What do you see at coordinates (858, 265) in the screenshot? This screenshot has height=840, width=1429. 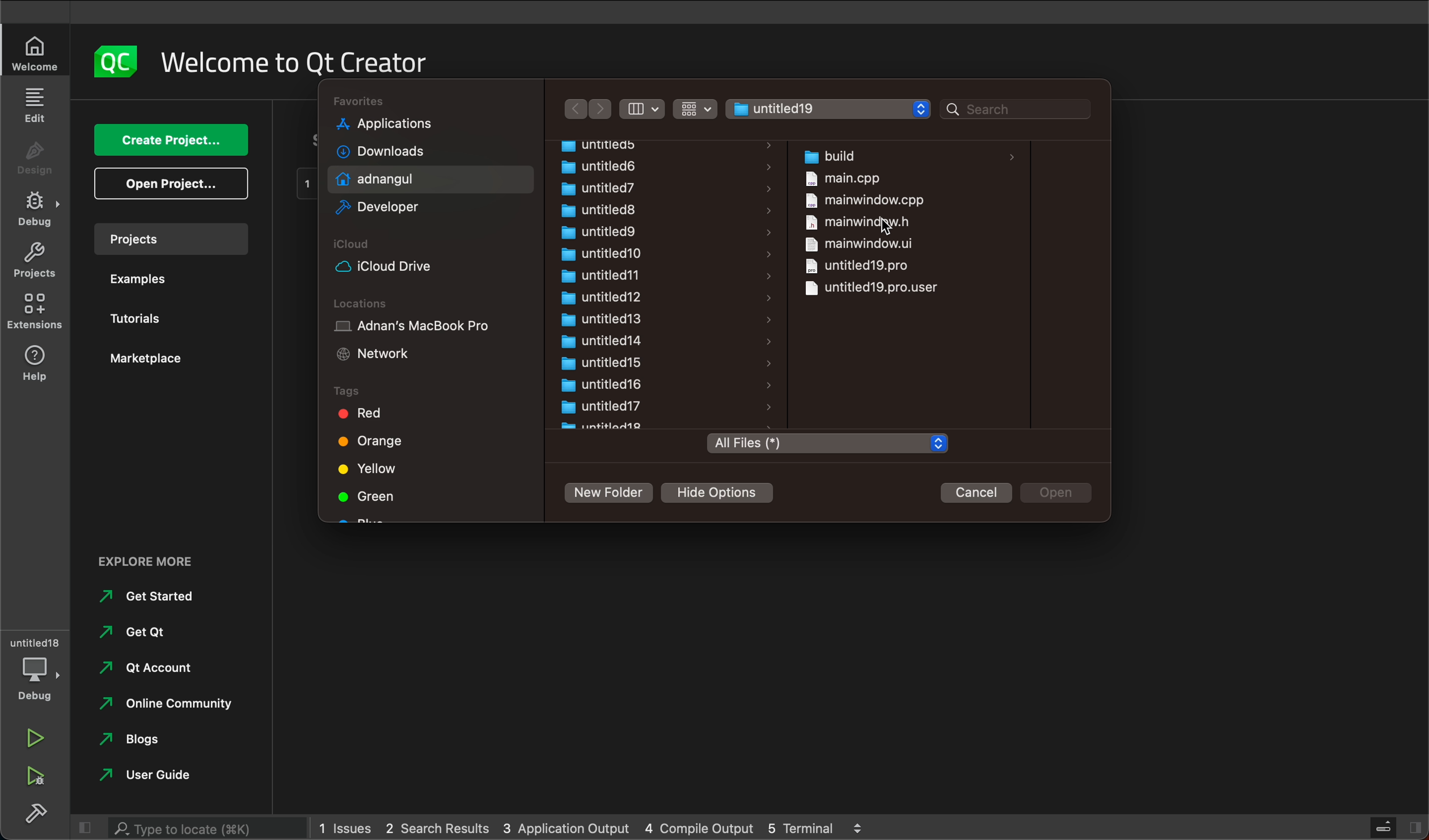 I see `untitledpro` at bounding box center [858, 265].